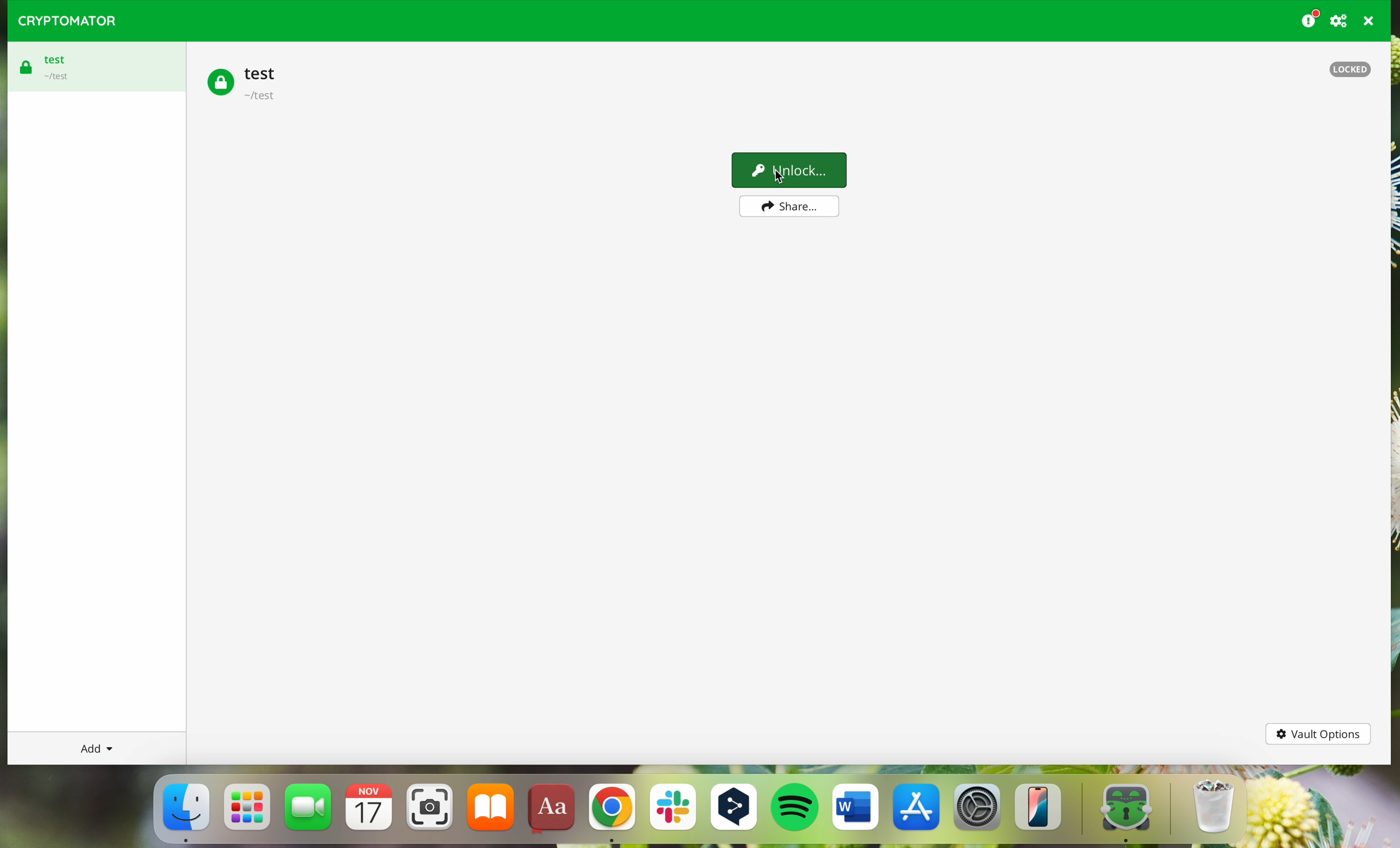 This screenshot has height=848, width=1400. What do you see at coordinates (978, 812) in the screenshot?
I see `settings` at bounding box center [978, 812].